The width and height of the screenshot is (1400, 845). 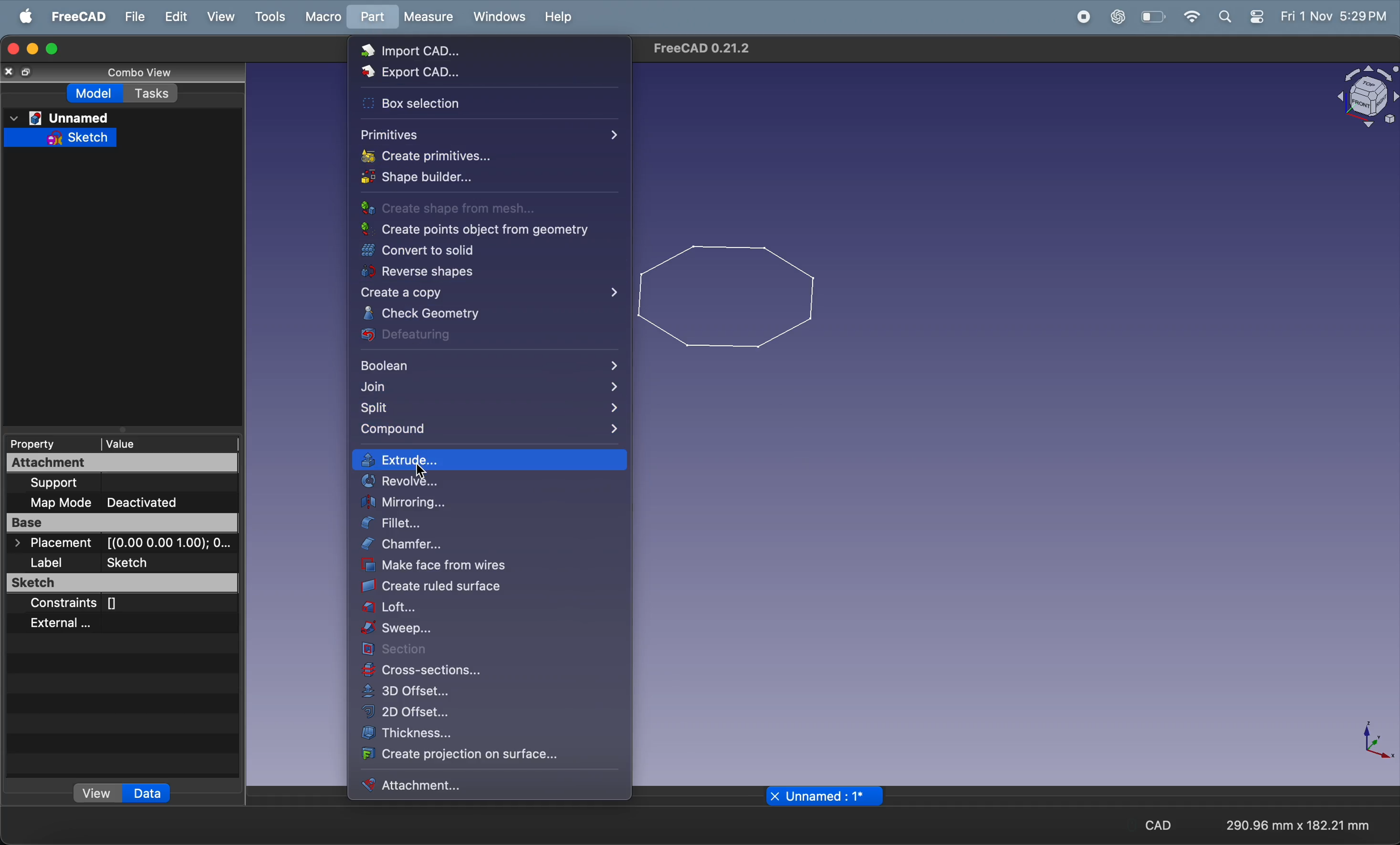 What do you see at coordinates (487, 177) in the screenshot?
I see `shape builder` at bounding box center [487, 177].